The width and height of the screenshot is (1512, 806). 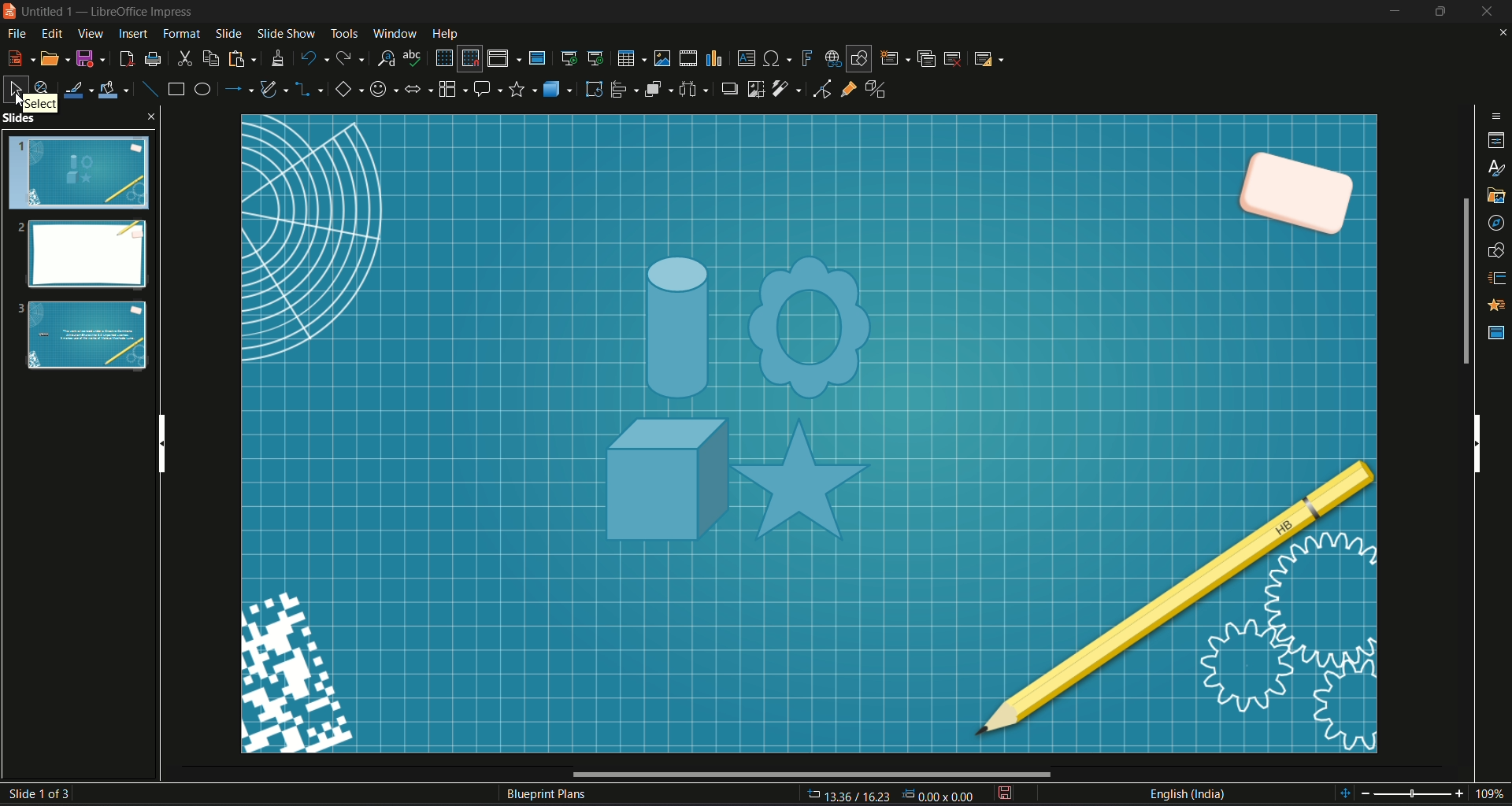 I want to click on View, so click(x=91, y=33).